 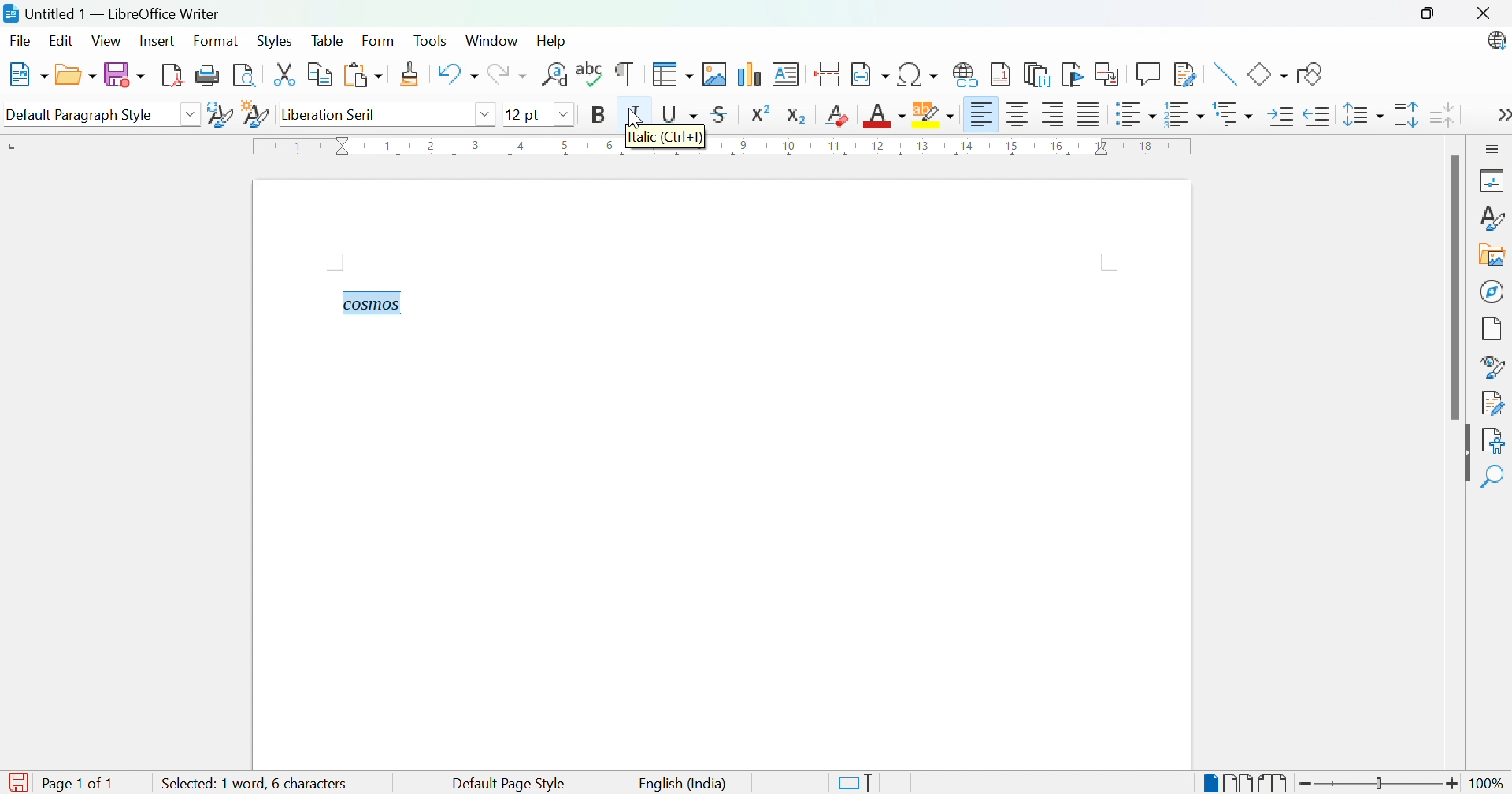 I want to click on Paste, so click(x=362, y=73).